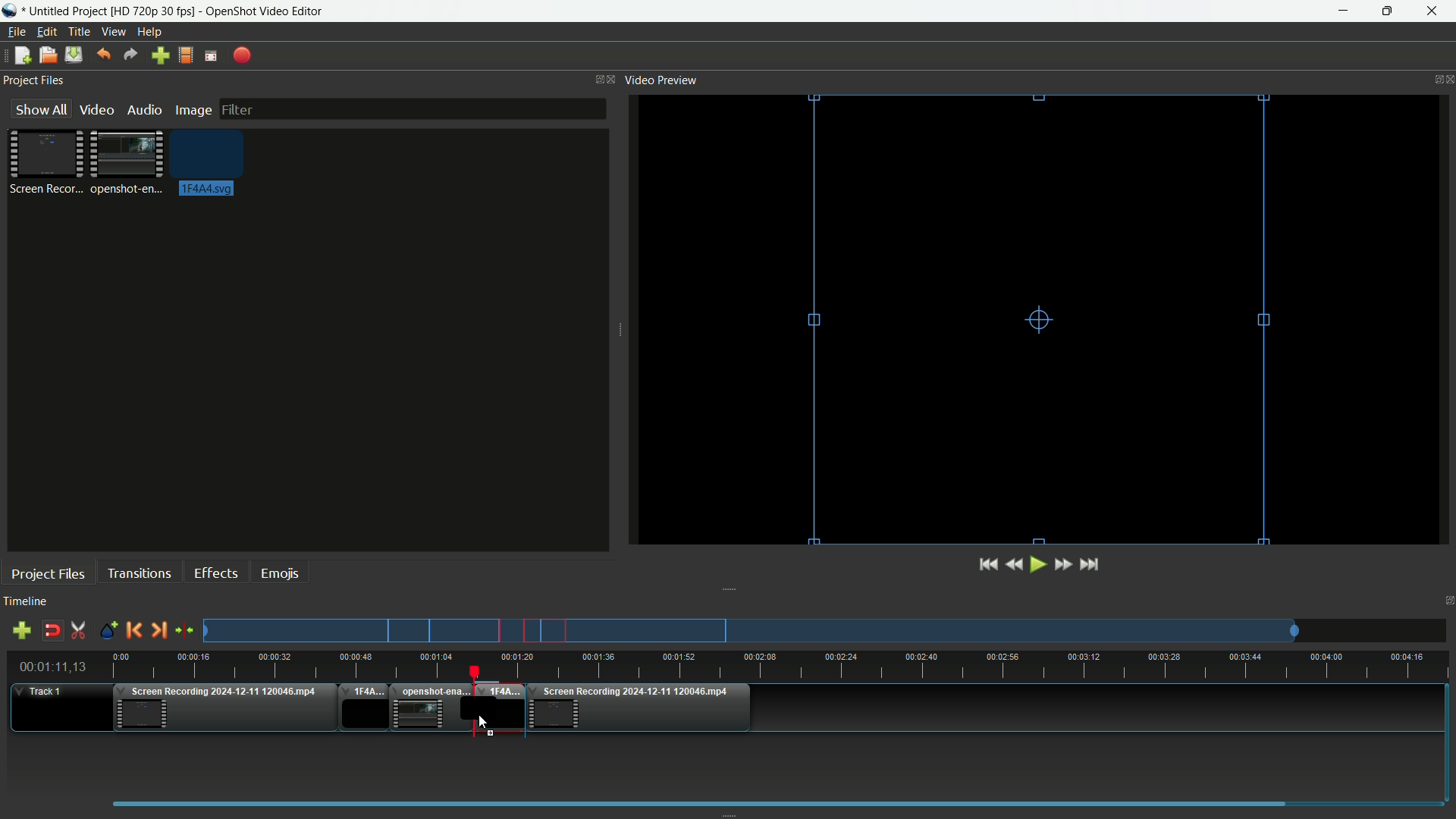 This screenshot has height=819, width=1456. I want to click on help menu, so click(151, 33).